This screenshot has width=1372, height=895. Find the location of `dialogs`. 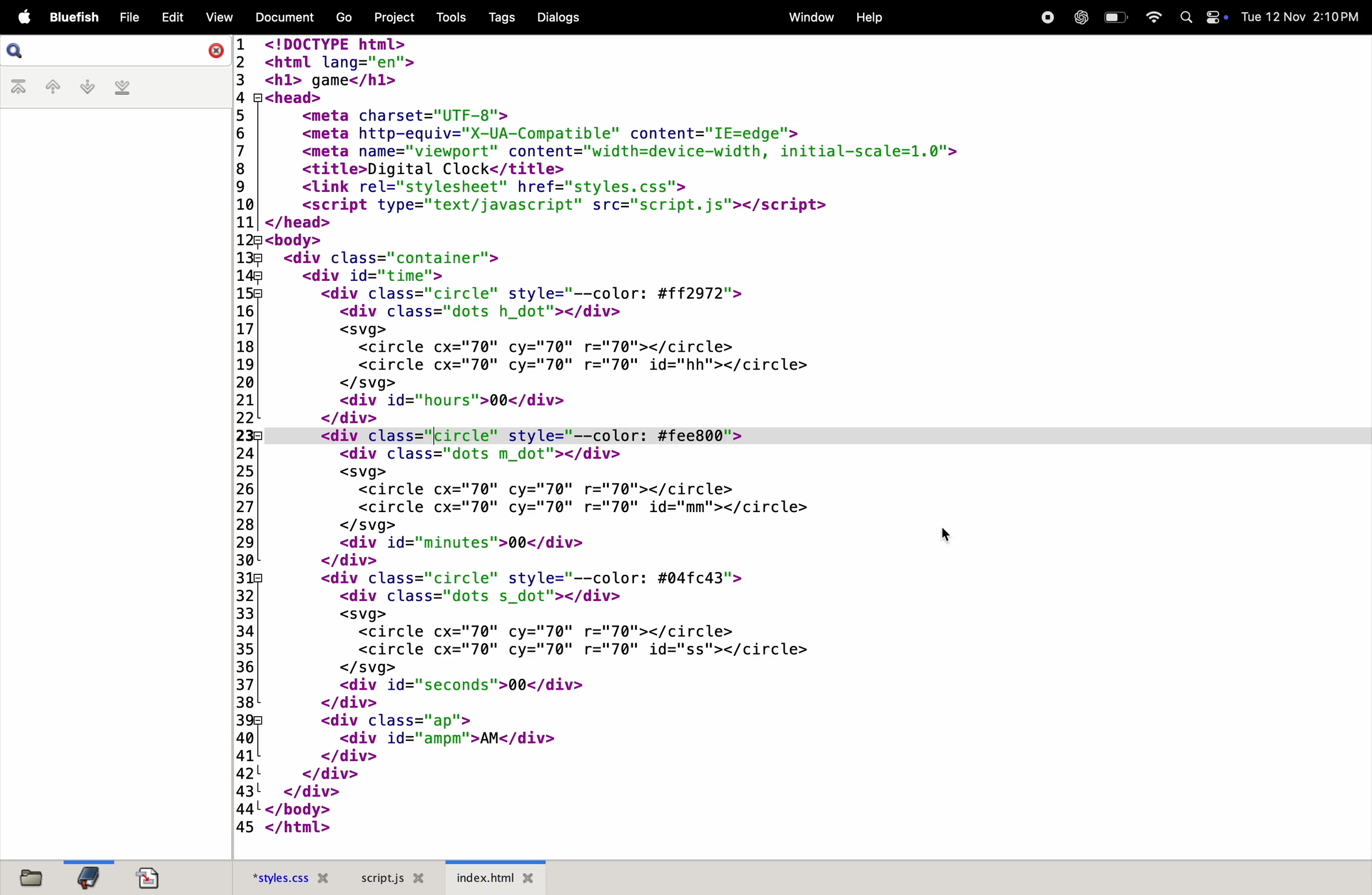

dialogs is located at coordinates (559, 16).